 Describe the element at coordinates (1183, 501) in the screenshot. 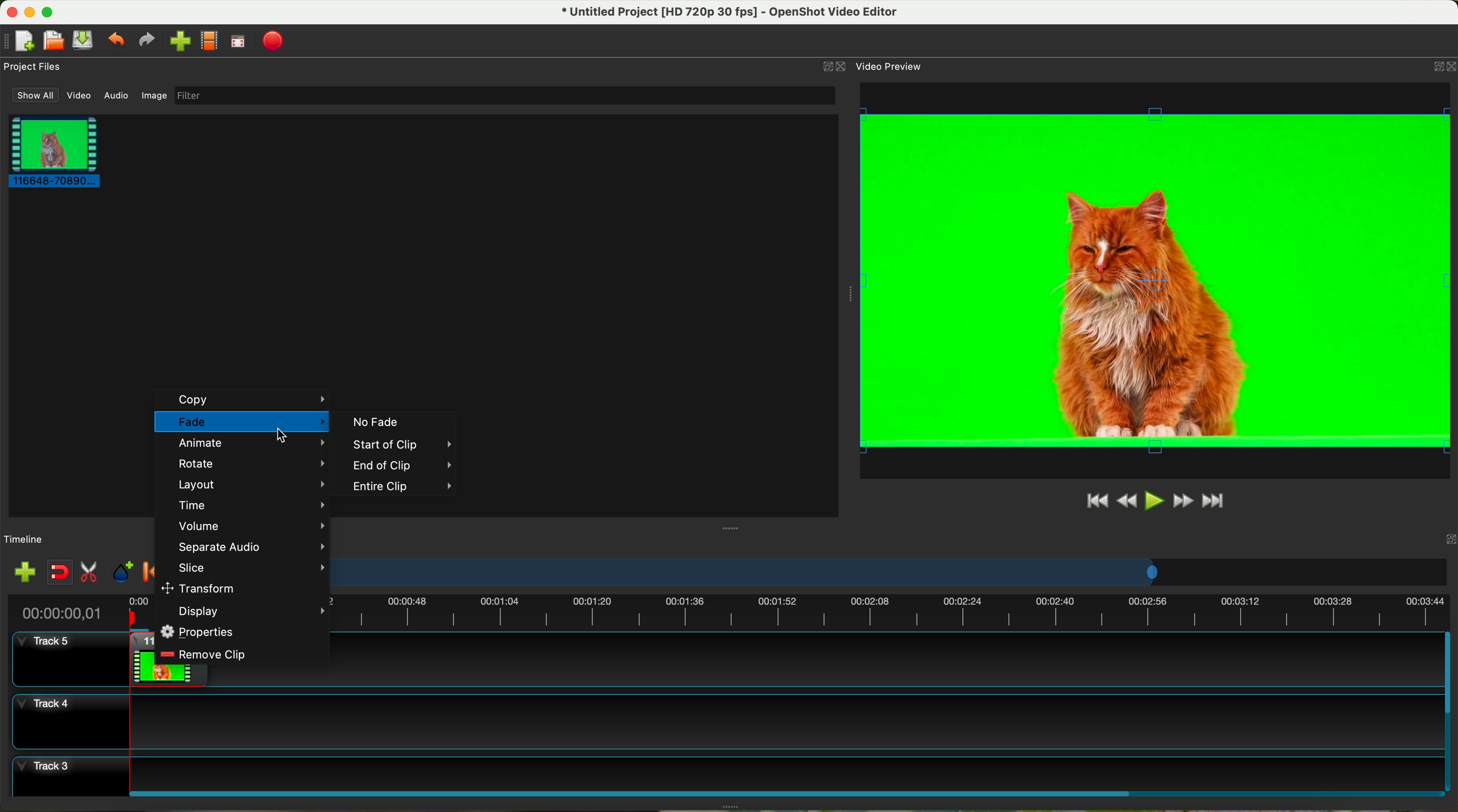

I see `fast foward` at that location.